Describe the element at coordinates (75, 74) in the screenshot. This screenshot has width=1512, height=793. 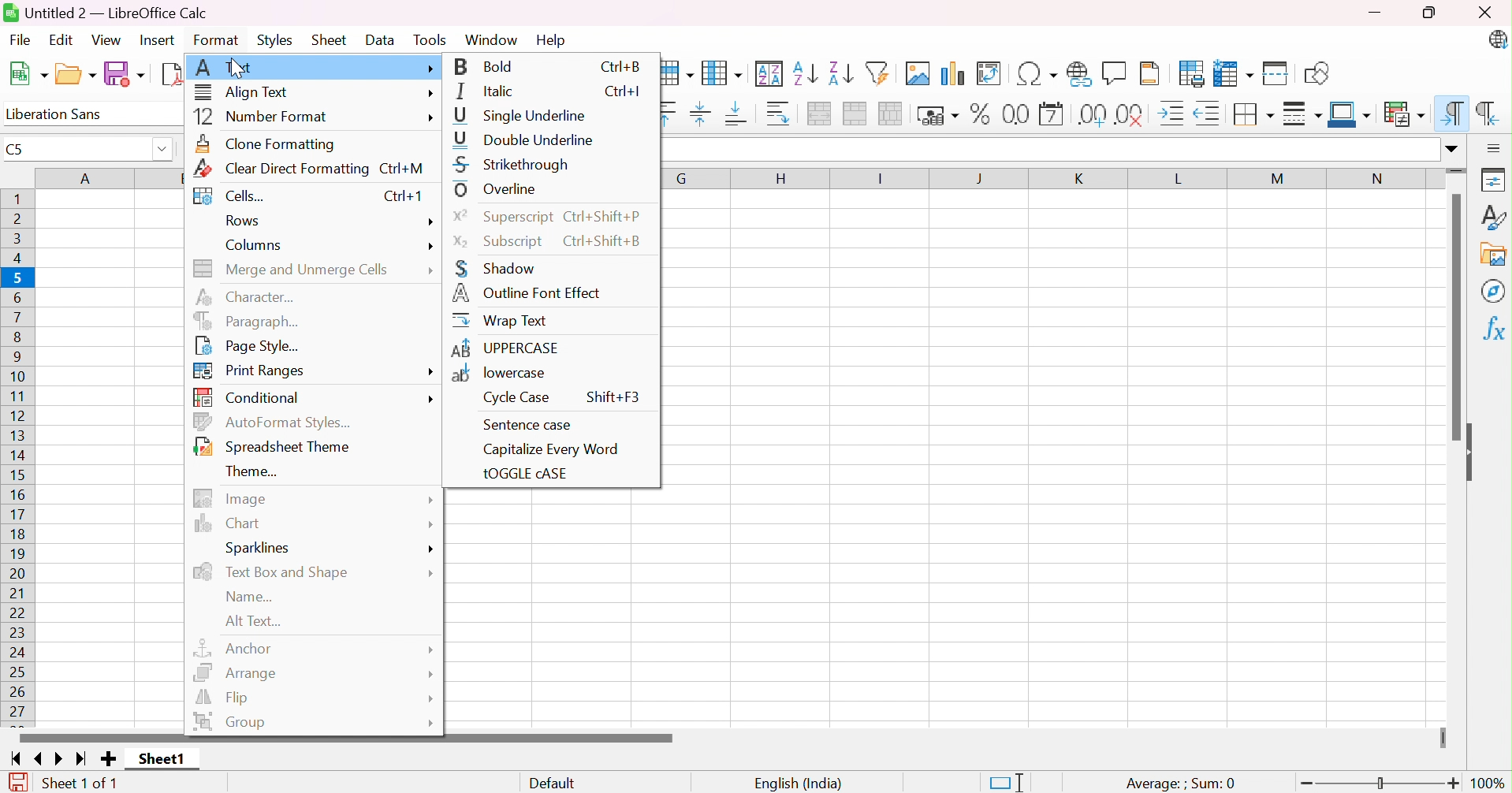
I see `Open` at that location.